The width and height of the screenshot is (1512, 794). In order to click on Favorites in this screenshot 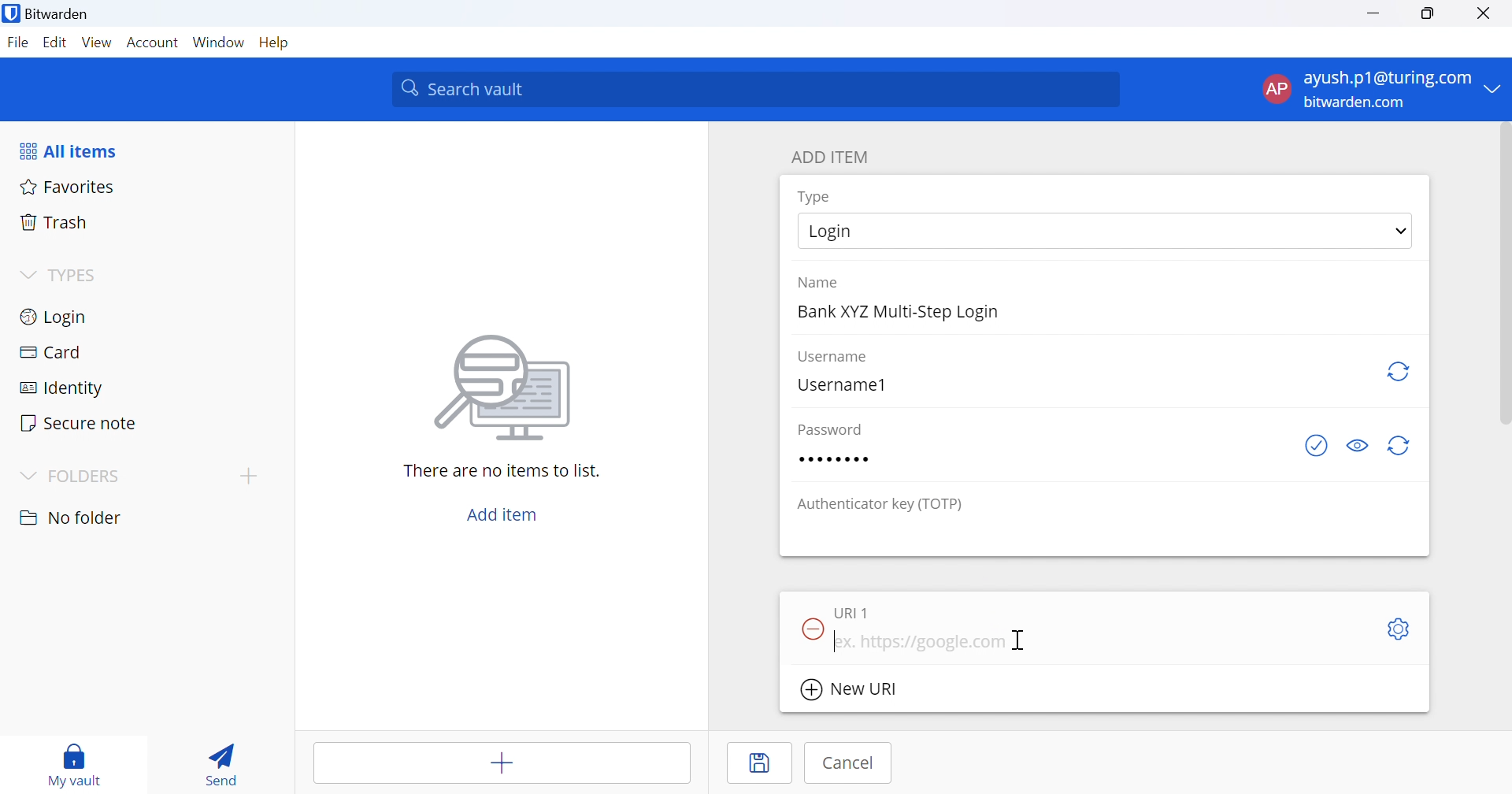, I will do `click(68, 186)`.